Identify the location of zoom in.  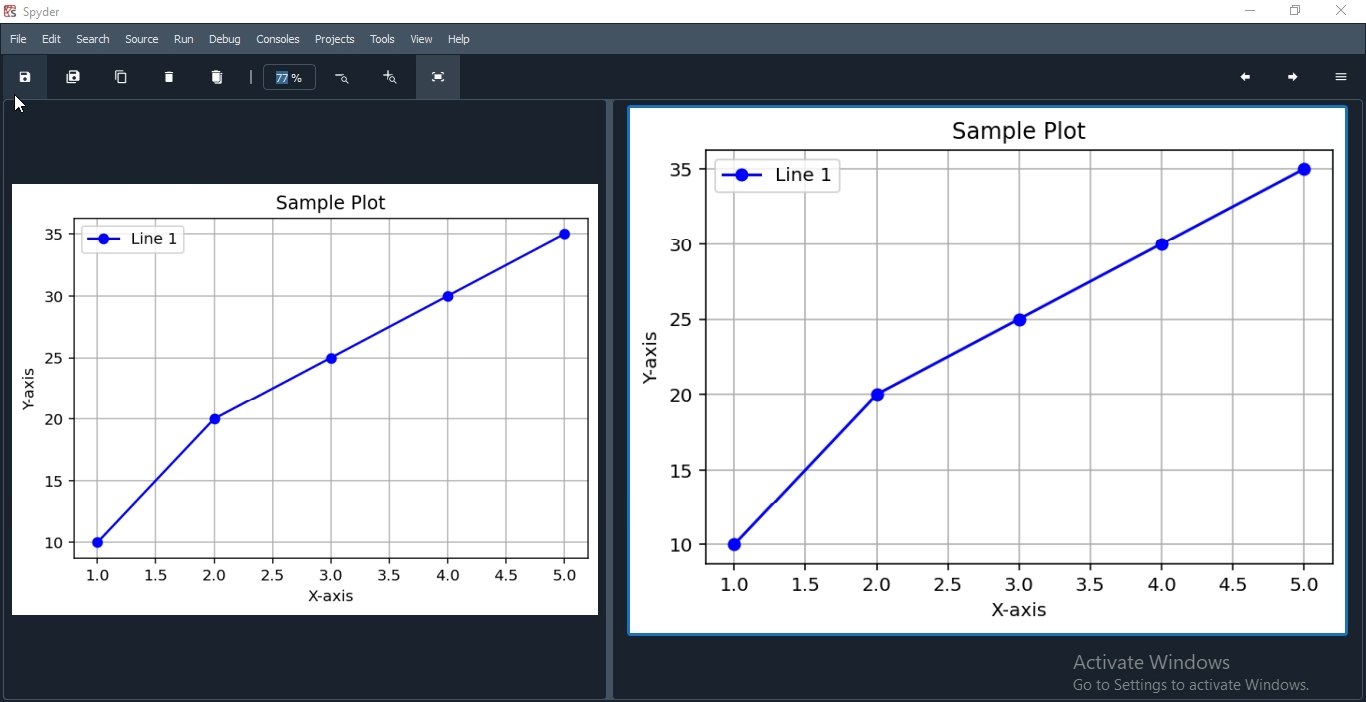
(387, 77).